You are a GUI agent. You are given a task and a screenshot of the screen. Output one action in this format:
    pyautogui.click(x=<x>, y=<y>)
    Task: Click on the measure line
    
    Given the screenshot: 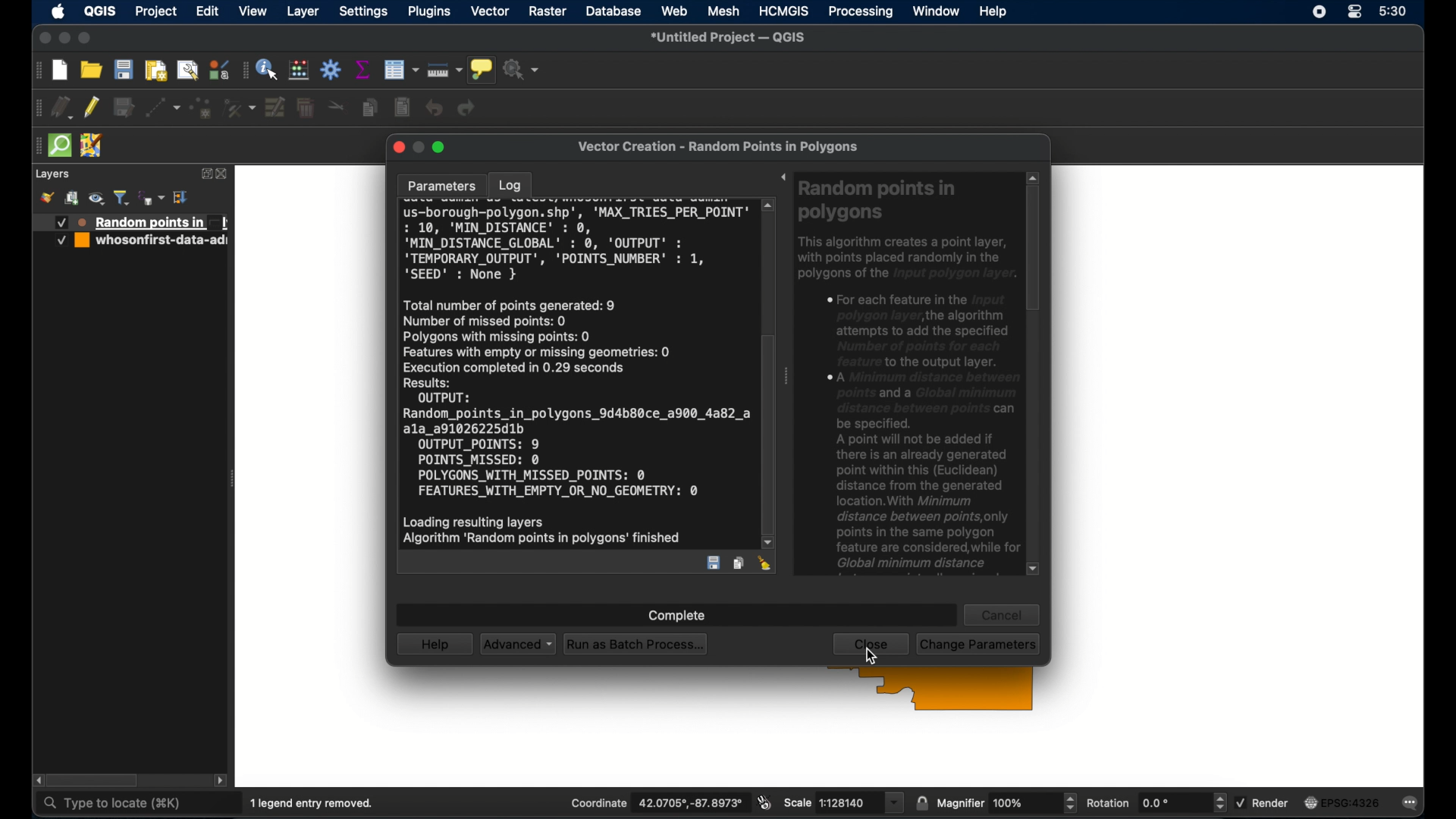 What is the action you would take?
    pyautogui.click(x=444, y=71)
    